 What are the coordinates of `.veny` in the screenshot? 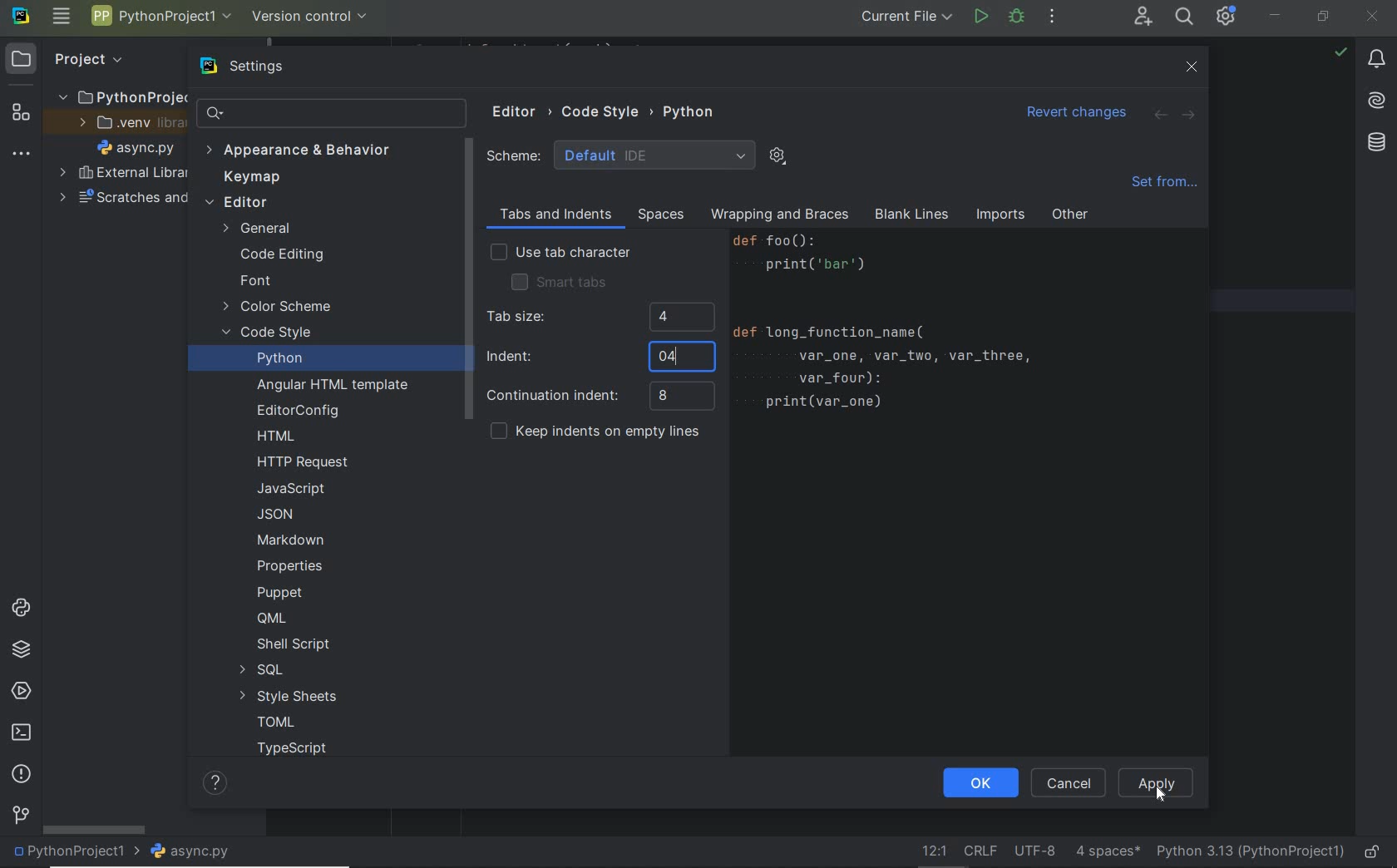 It's located at (126, 123).